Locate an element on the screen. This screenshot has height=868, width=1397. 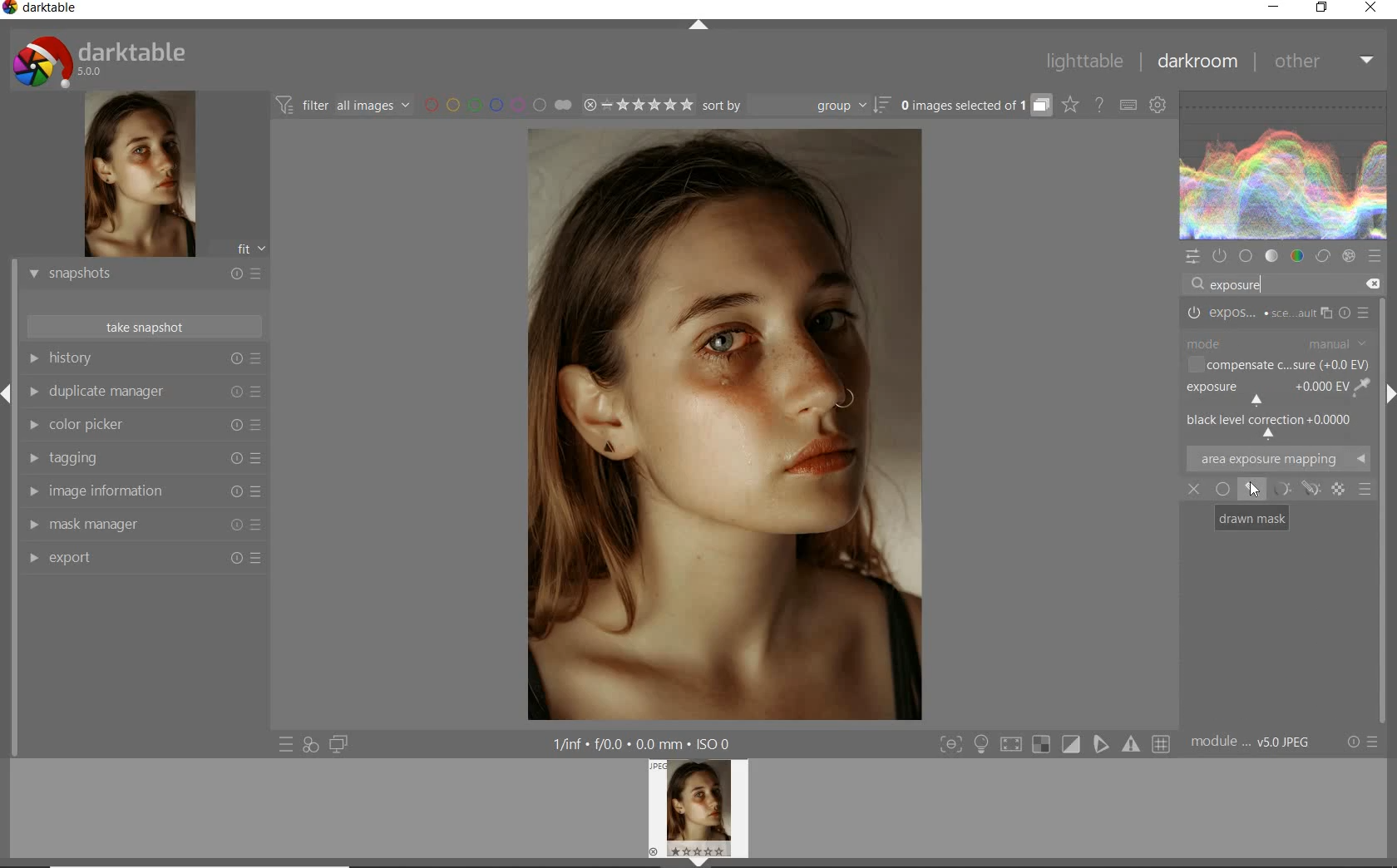
MASK OPTIONS is located at coordinates (1310, 490).